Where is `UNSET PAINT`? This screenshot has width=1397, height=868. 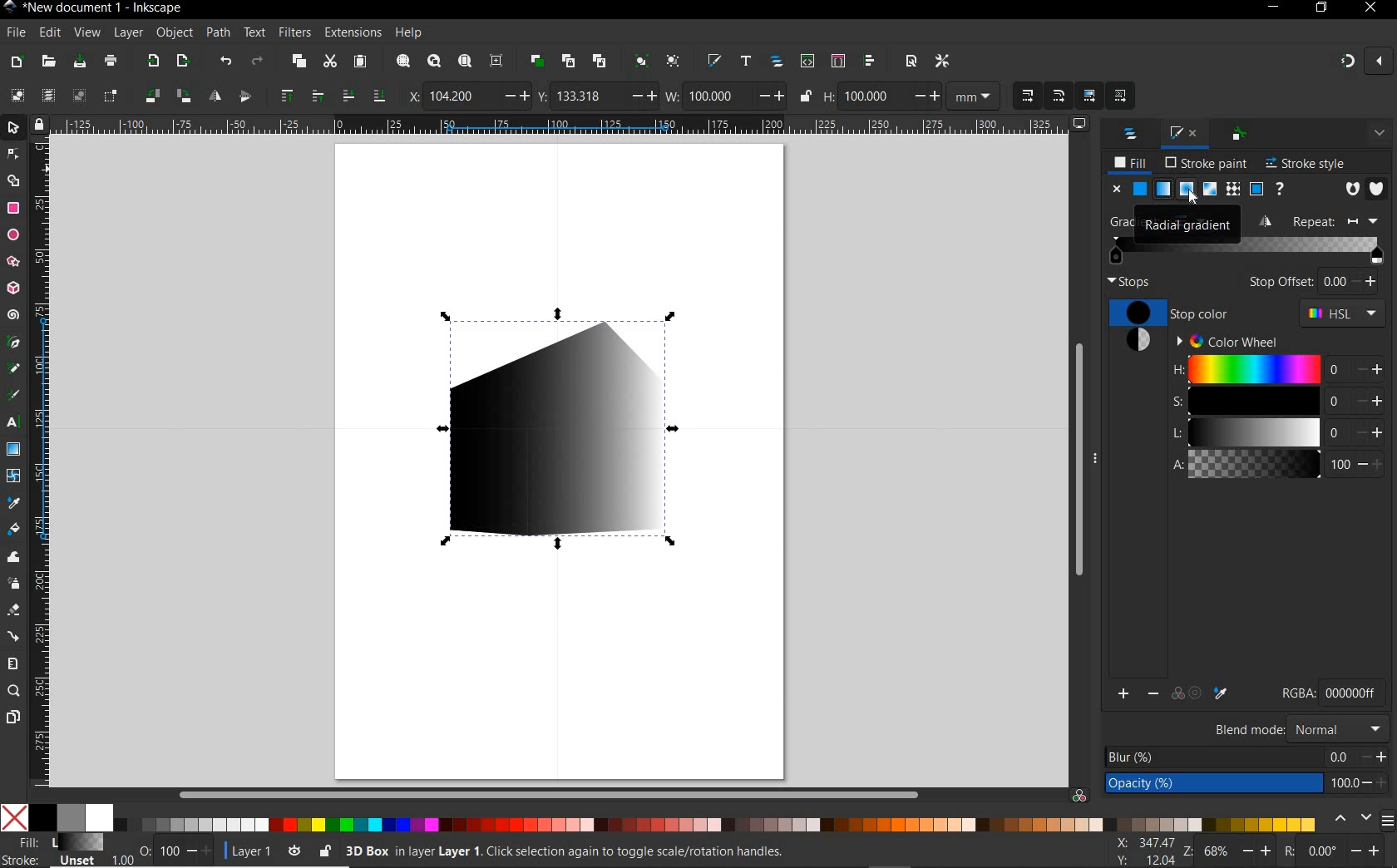
UNSET PAINT is located at coordinates (1282, 191).